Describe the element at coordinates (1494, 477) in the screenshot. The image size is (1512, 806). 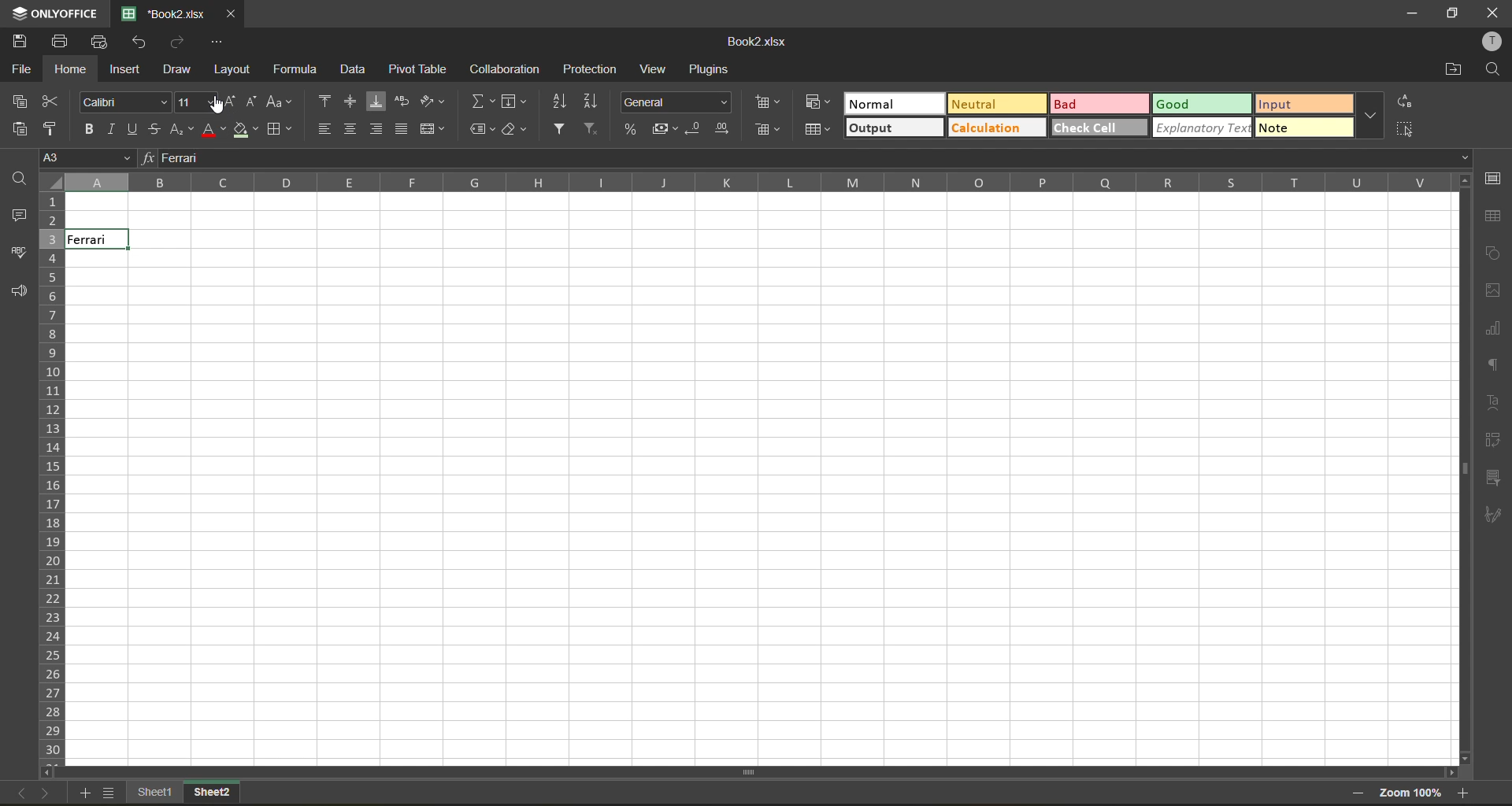
I see `slicer` at that location.